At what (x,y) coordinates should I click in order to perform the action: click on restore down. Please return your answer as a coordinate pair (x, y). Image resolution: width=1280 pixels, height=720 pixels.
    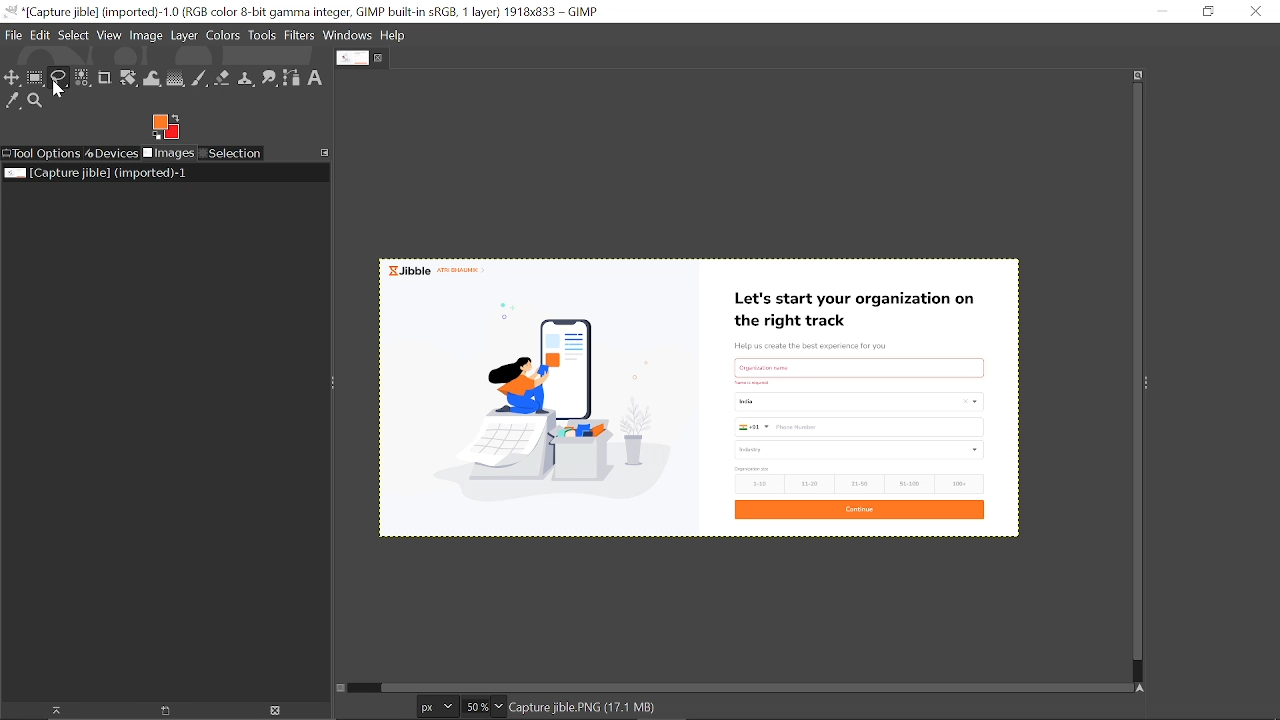
    Looking at the image, I should click on (1207, 11).